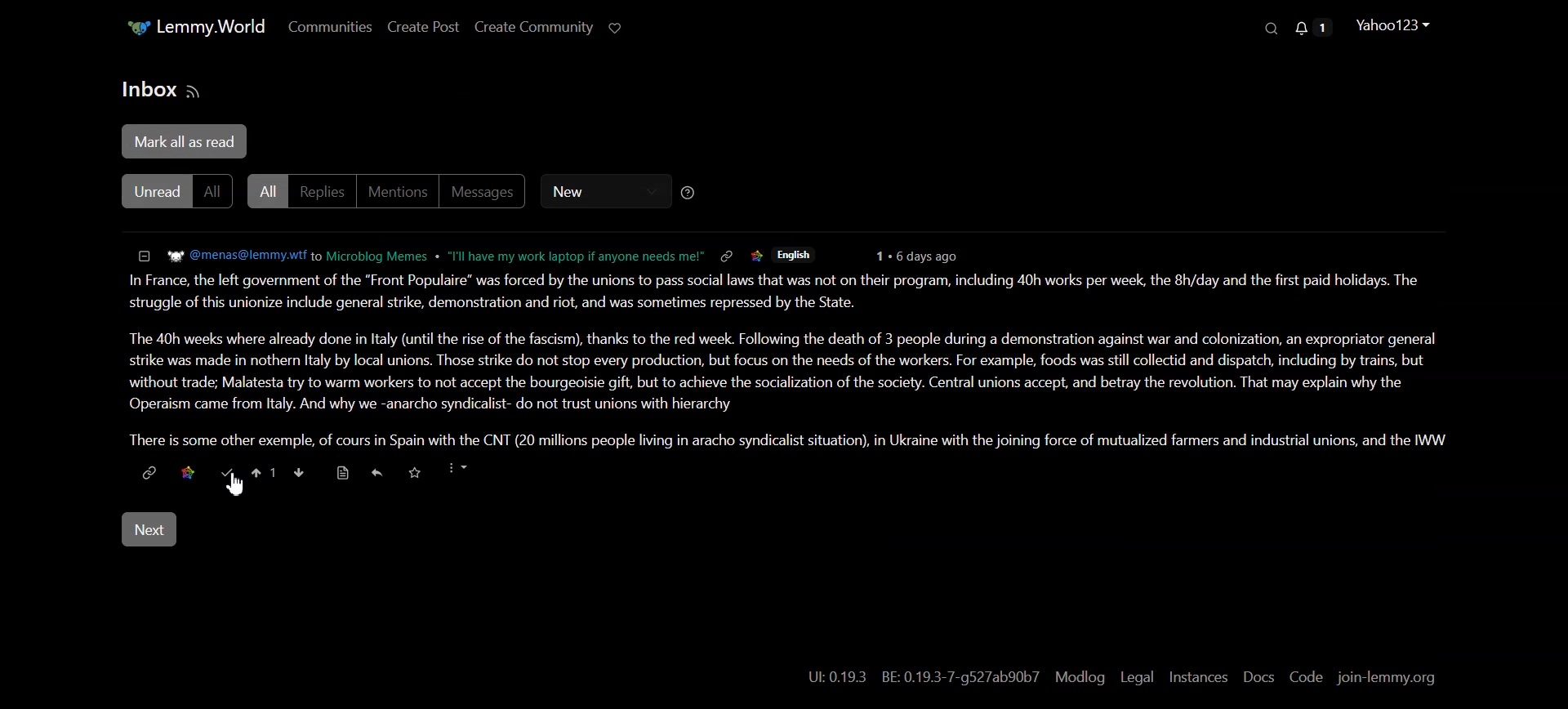 The image size is (1568, 709). Describe the element at coordinates (1388, 678) in the screenshot. I see `join-lemmy.org` at that location.